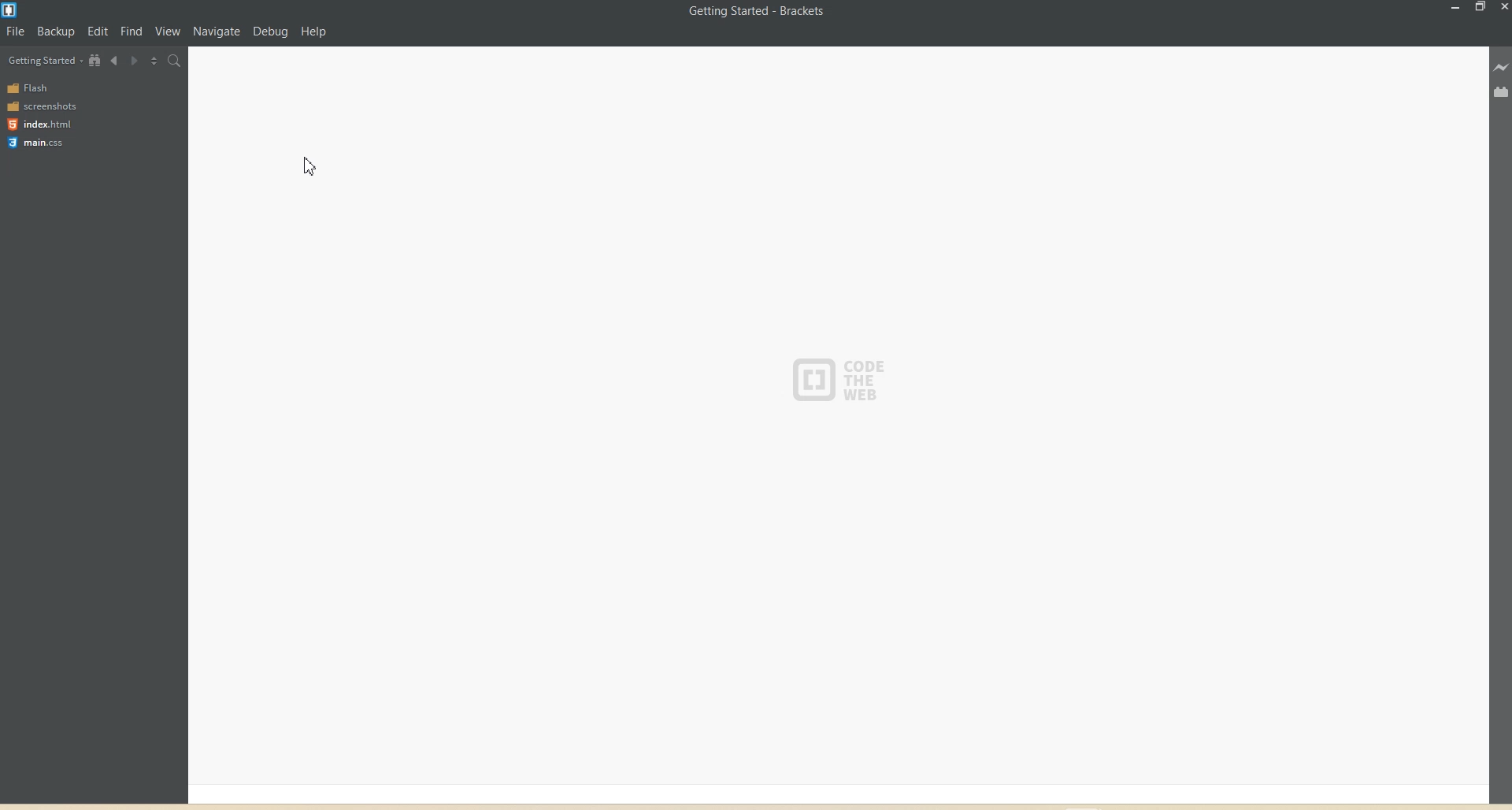  I want to click on Getting Started - Brackets, so click(756, 12).